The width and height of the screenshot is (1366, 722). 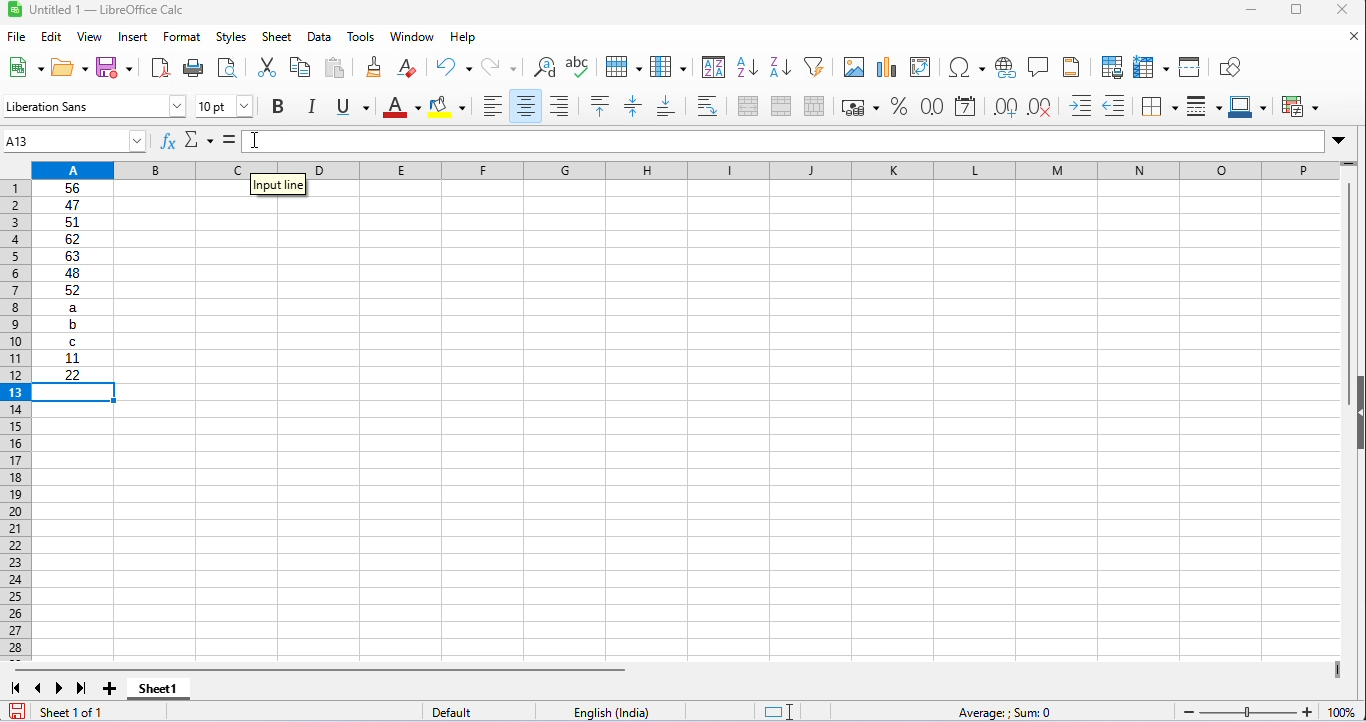 I want to click on align top, so click(x=598, y=105).